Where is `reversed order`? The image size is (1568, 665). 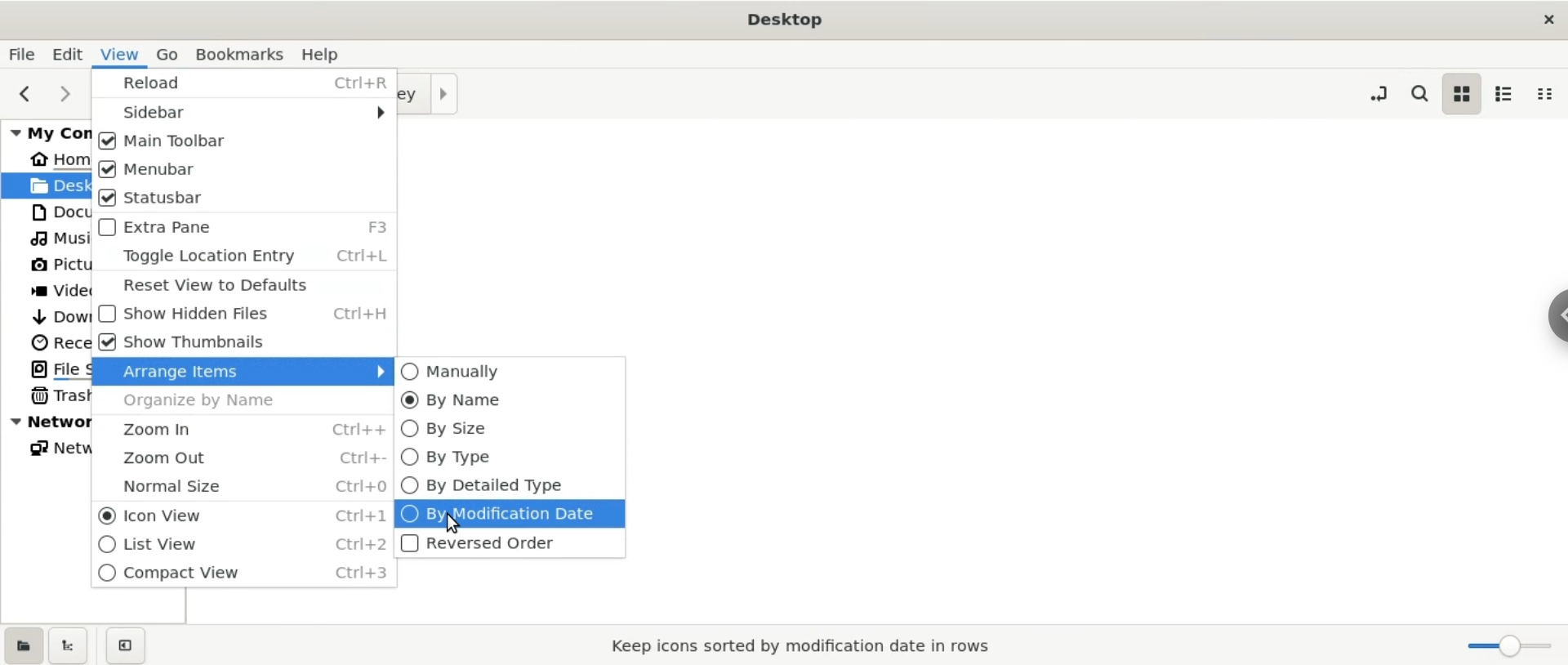 reversed order is located at coordinates (506, 544).